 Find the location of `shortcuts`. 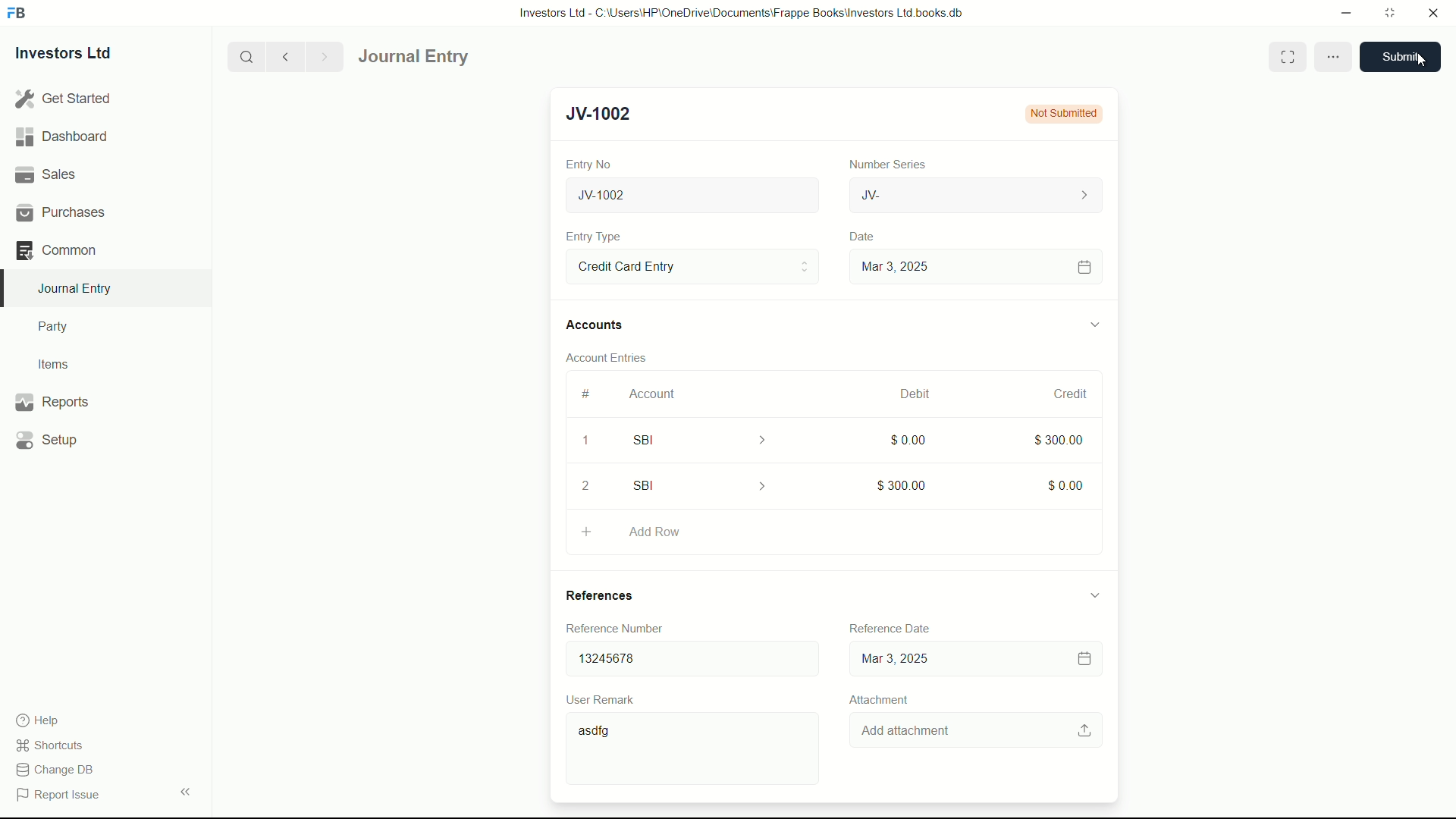

shortcuts is located at coordinates (53, 745).